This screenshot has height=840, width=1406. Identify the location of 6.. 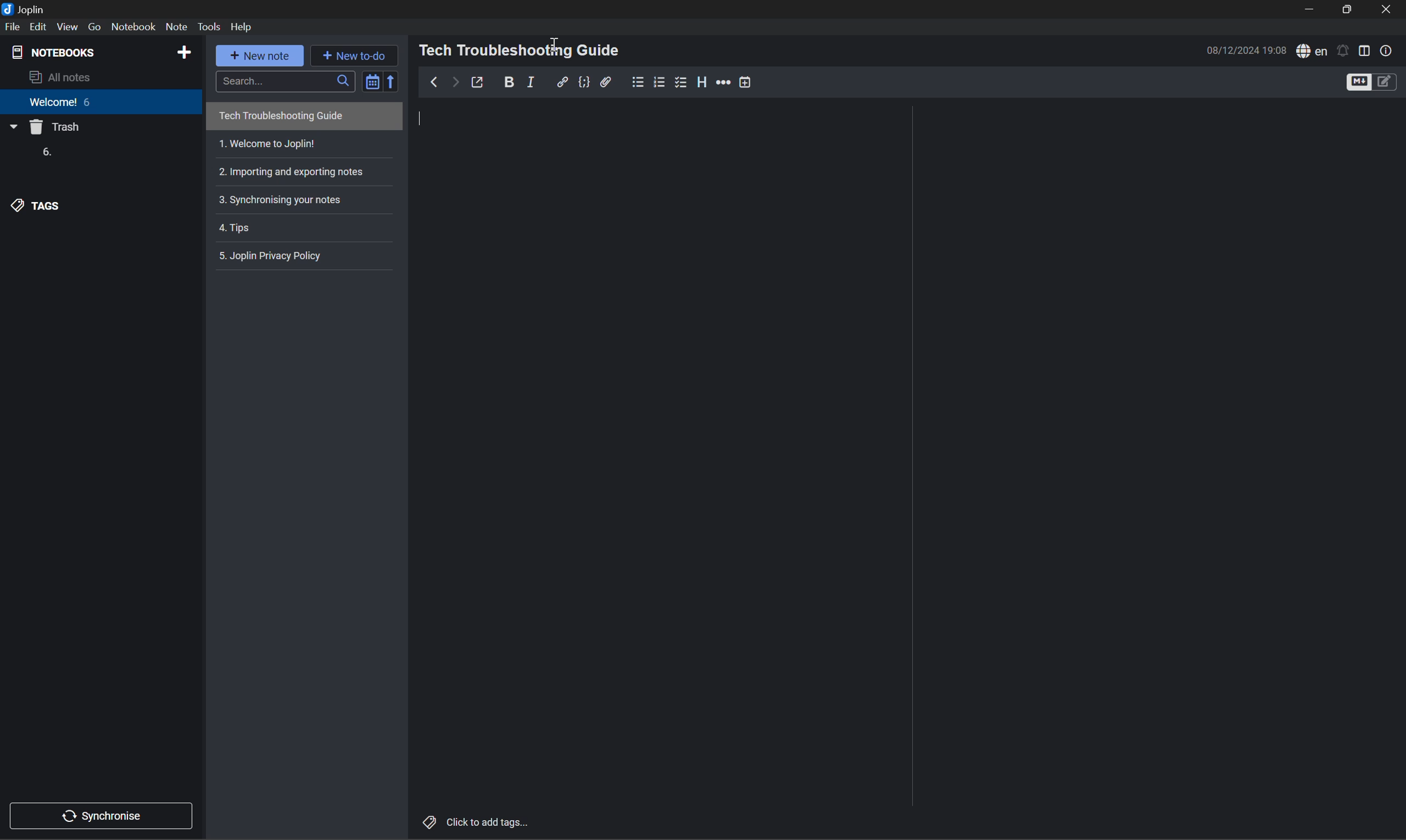
(45, 153).